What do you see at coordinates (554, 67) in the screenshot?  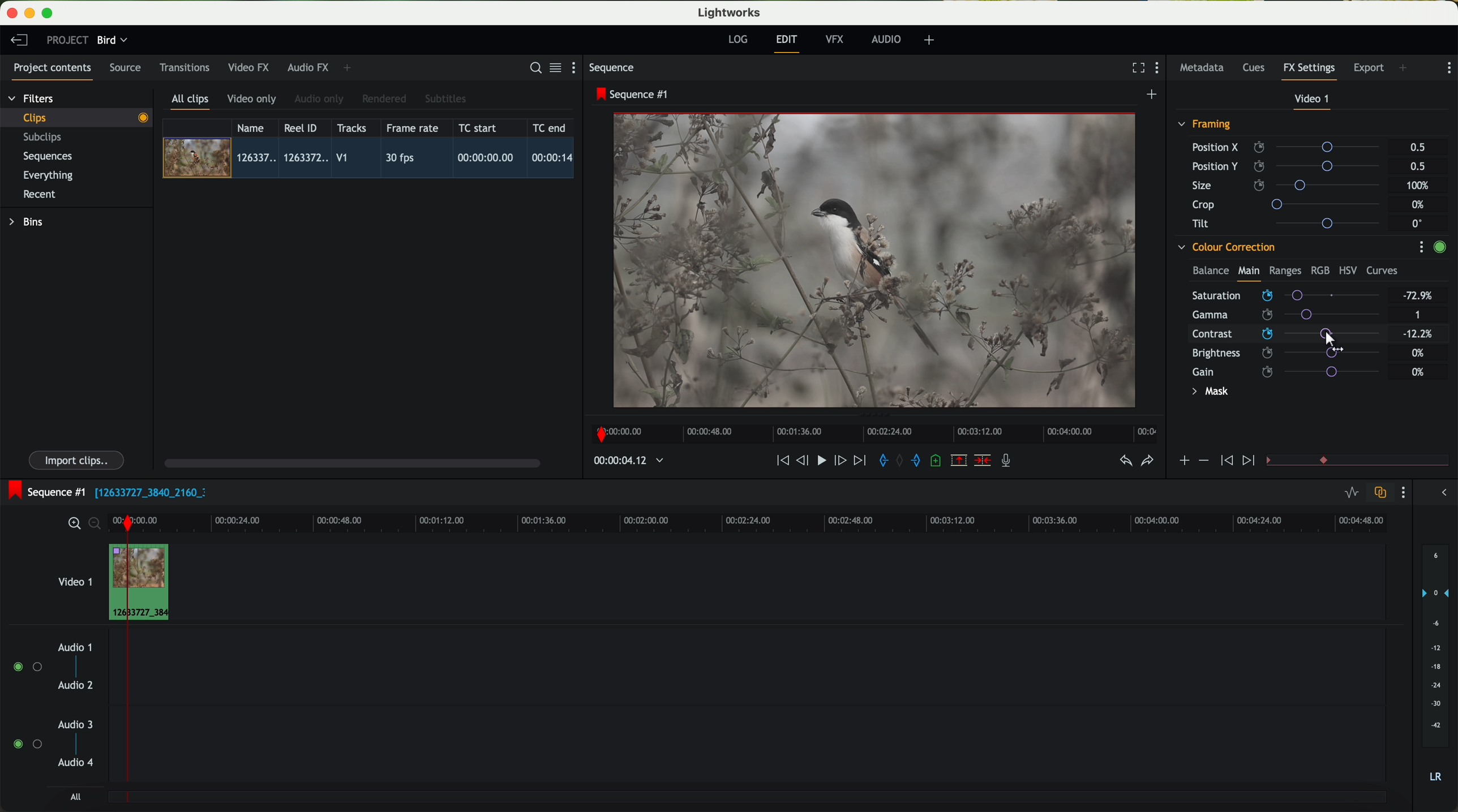 I see `toggle between list and title view` at bounding box center [554, 67].